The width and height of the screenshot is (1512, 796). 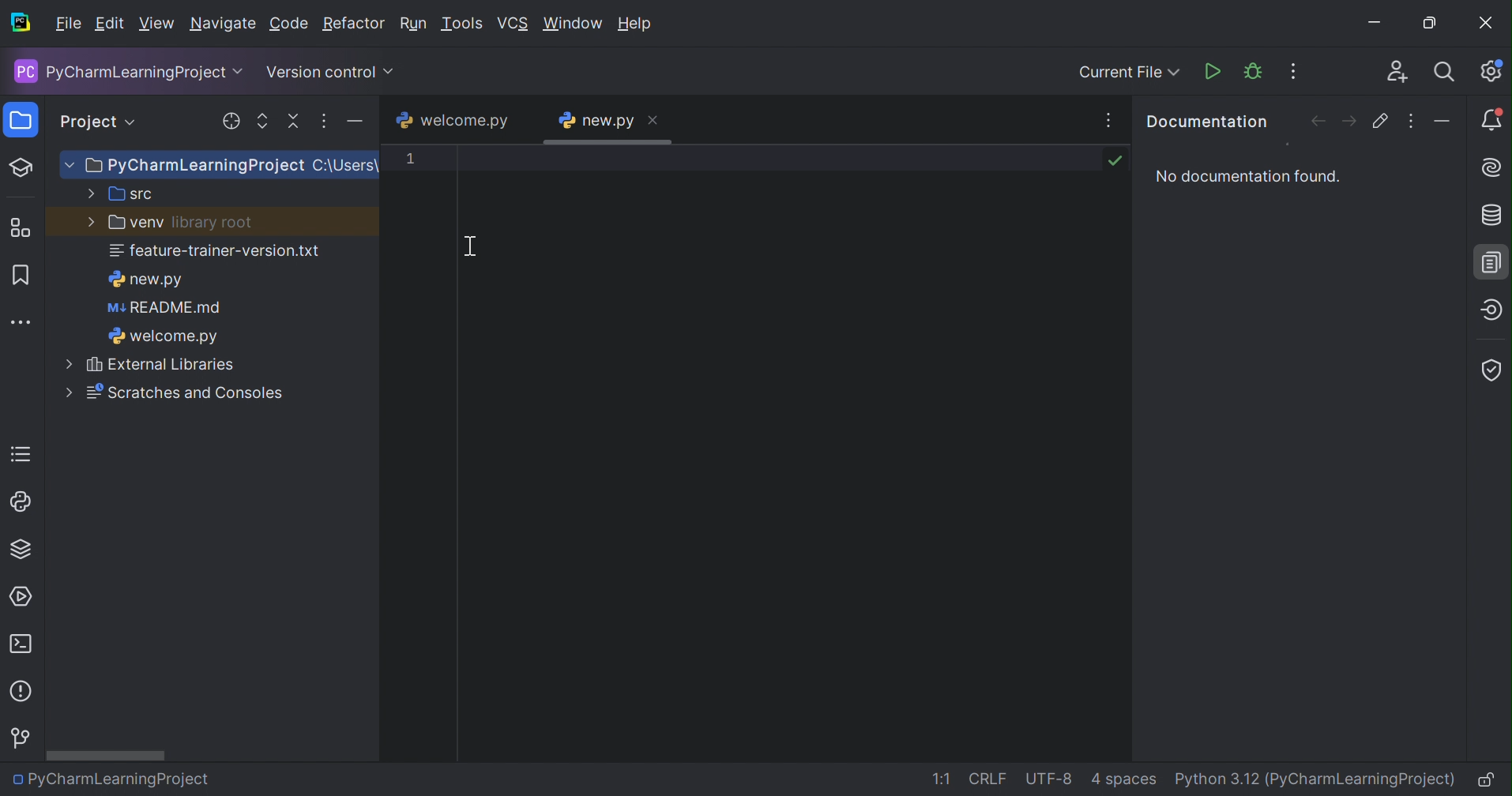 I want to click on Edit, so click(x=109, y=24).